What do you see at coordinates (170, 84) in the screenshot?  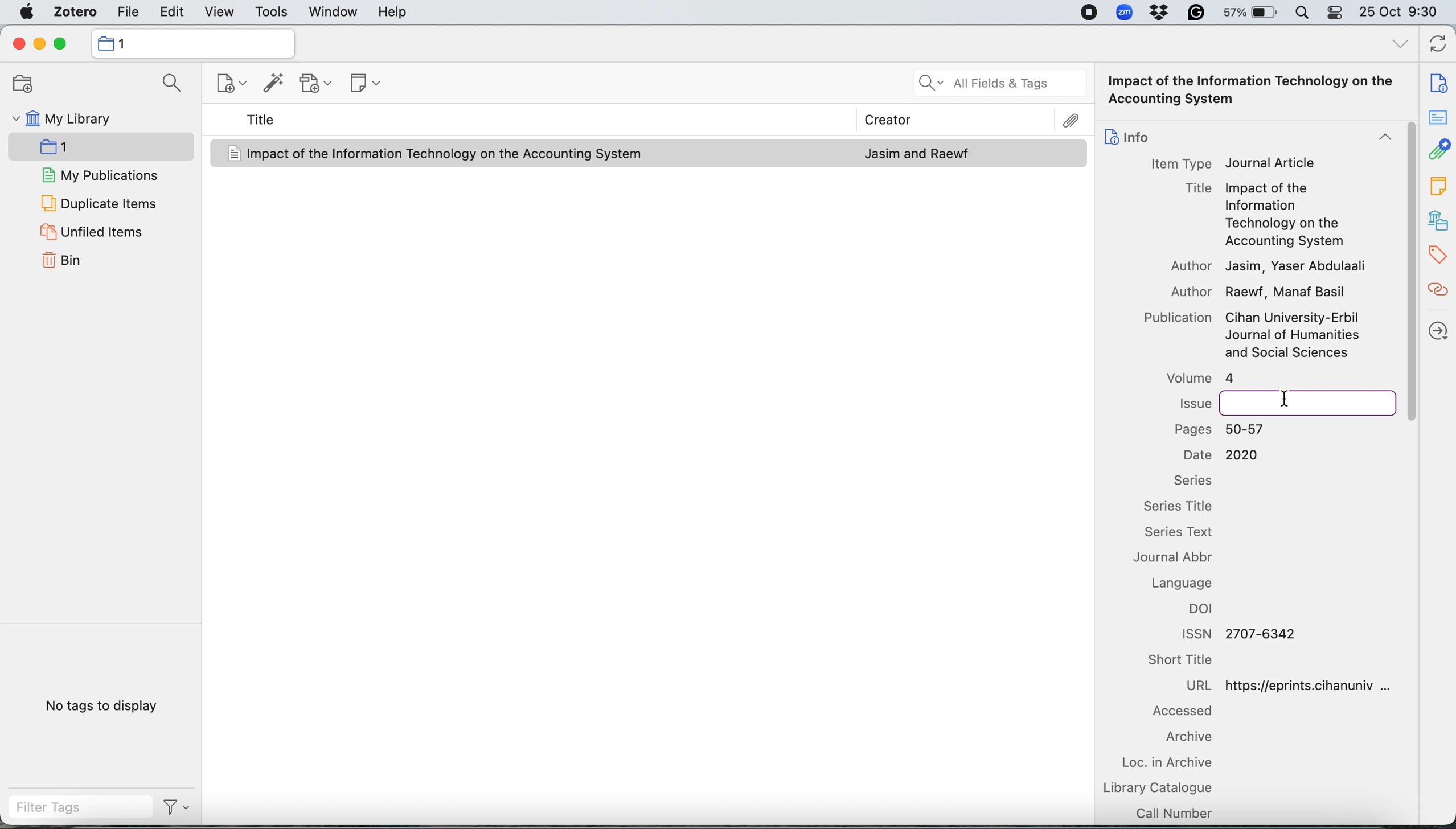 I see `searcg` at bounding box center [170, 84].